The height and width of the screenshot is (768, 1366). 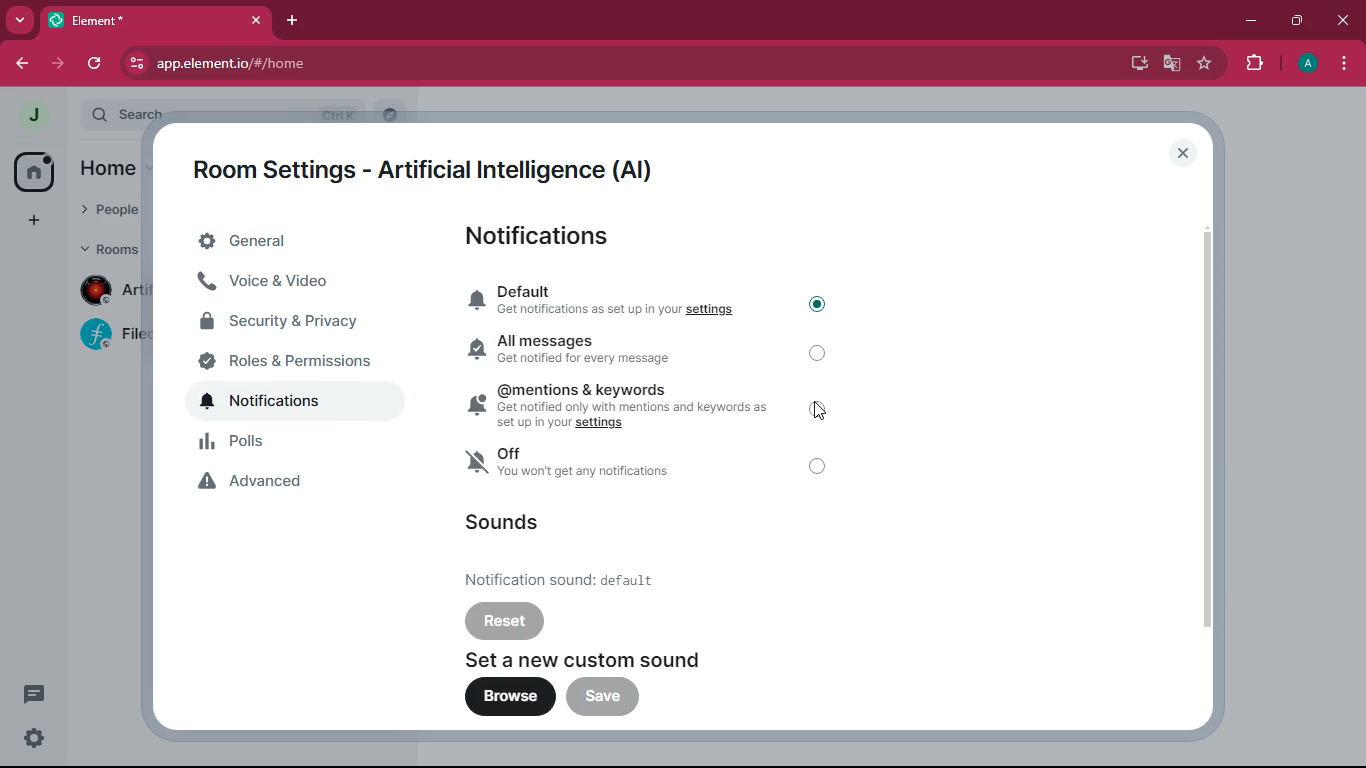 What do you see at coordinates (301, 444) in the screenshot?
I see `polls` at bounding box center [301, 444].